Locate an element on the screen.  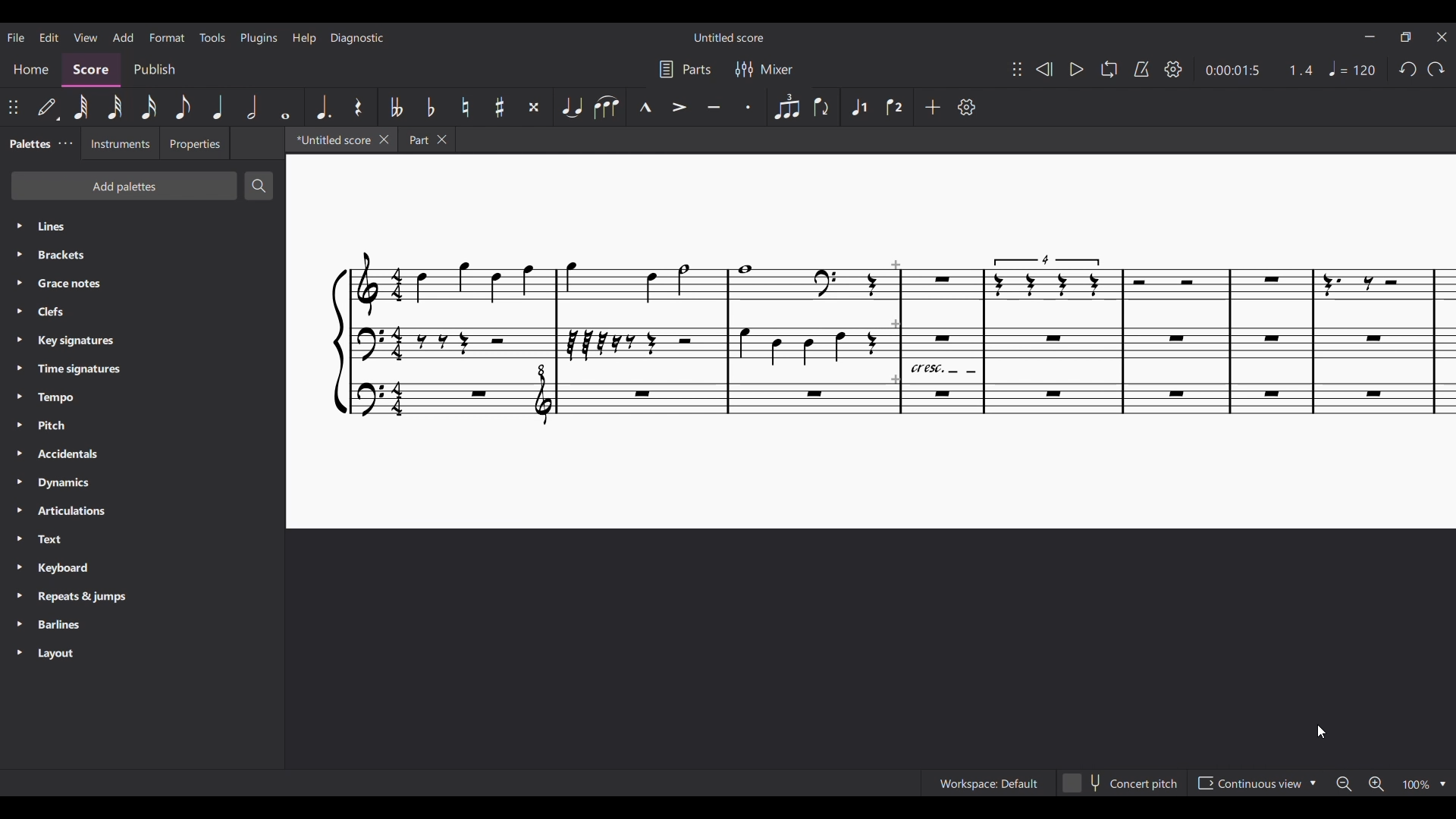
Diagnostic menu is located at coordinates (357, 39).